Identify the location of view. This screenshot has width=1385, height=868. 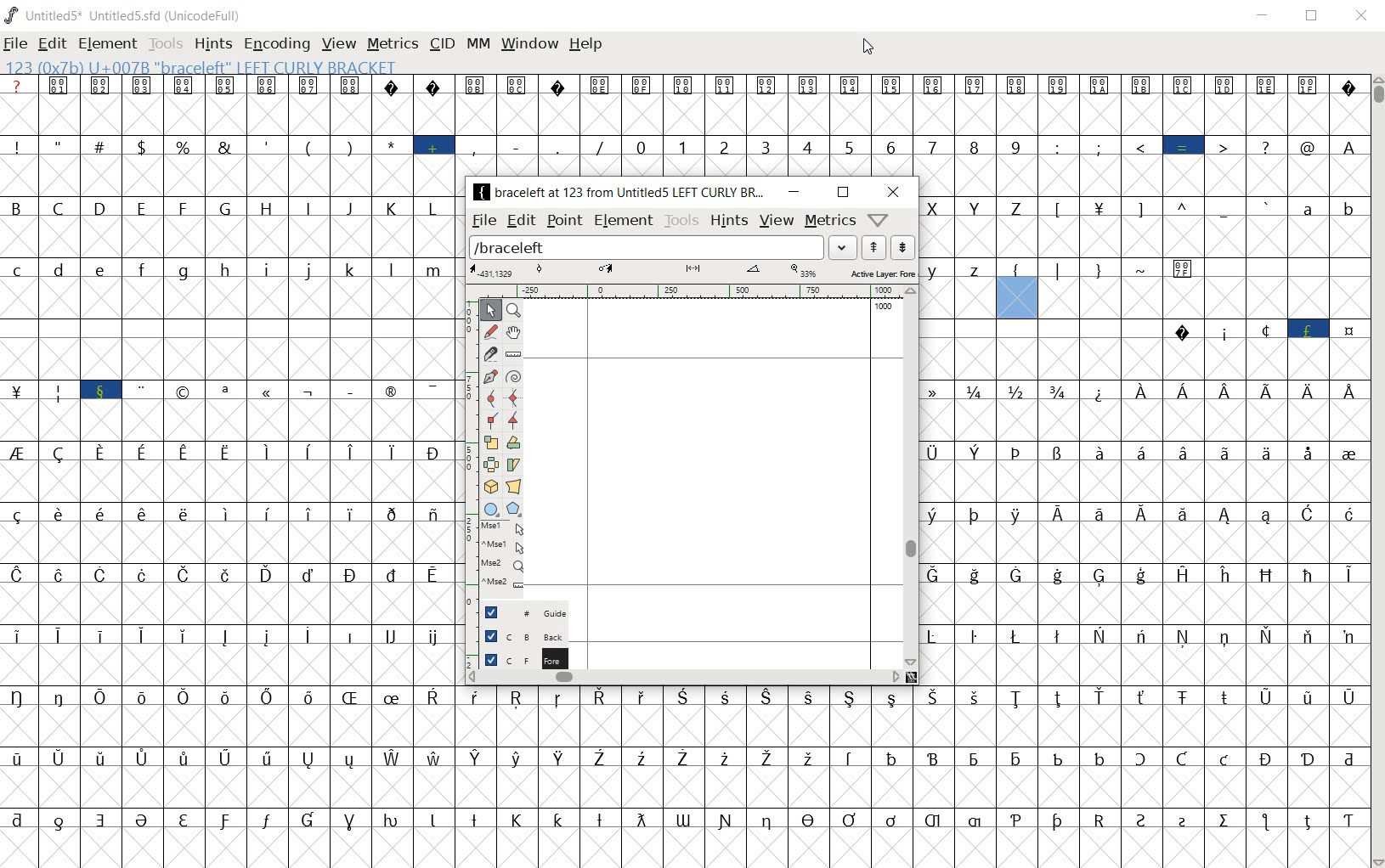
(336, 43).